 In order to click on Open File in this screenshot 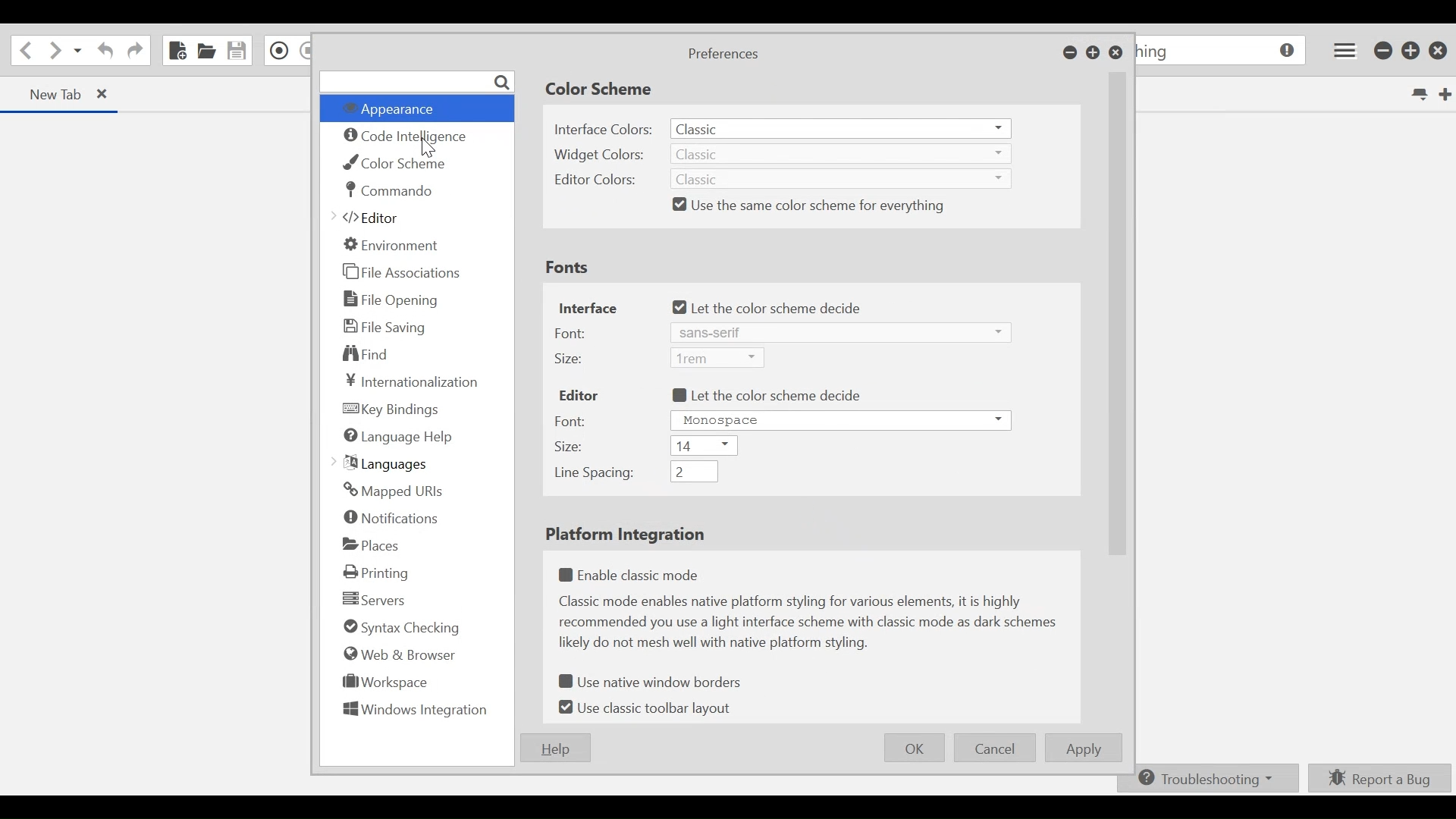, I will do `click(207, 52)`.